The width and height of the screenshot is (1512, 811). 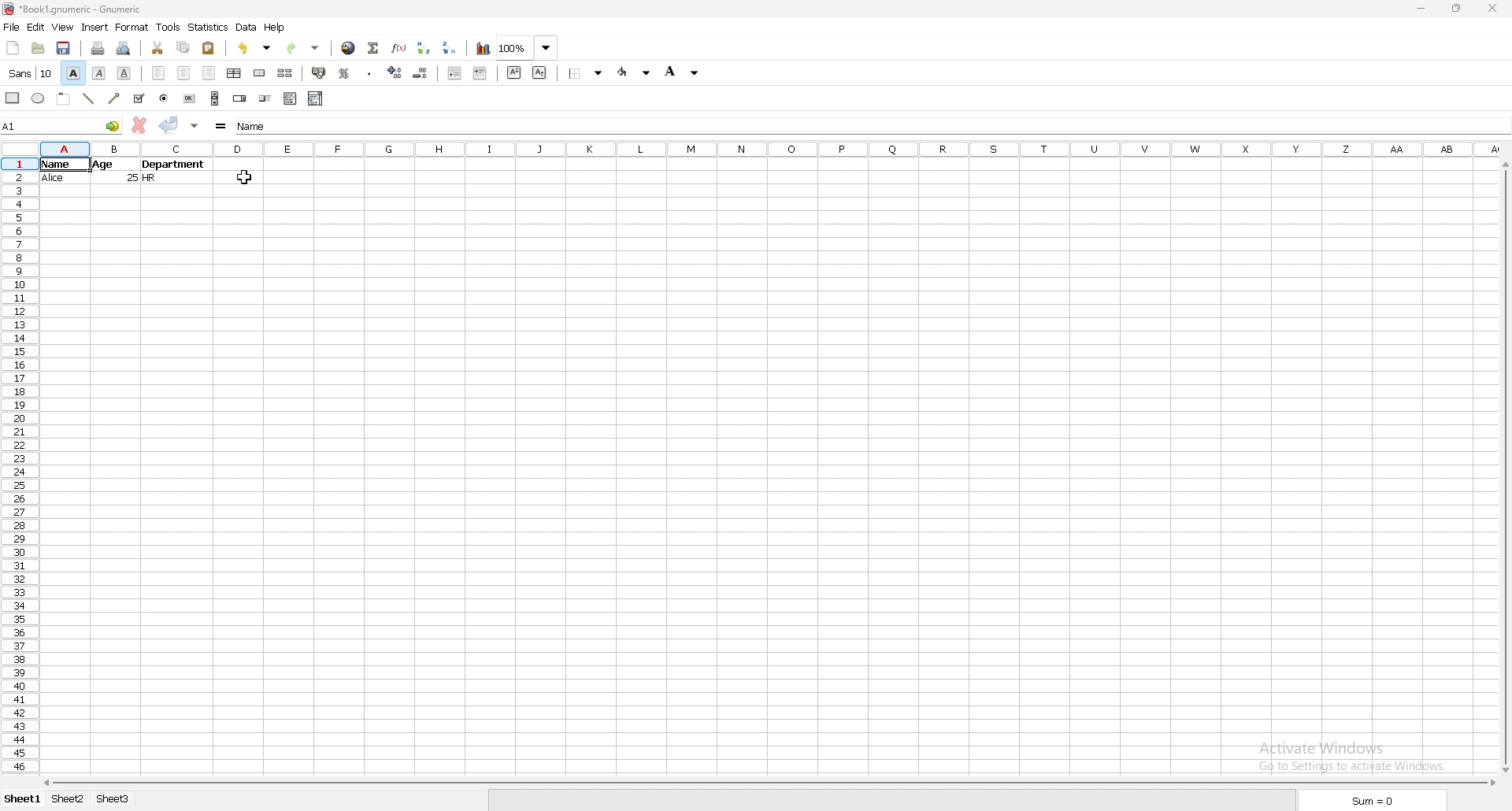 I want to click on slider, so click(x=265, y=100).